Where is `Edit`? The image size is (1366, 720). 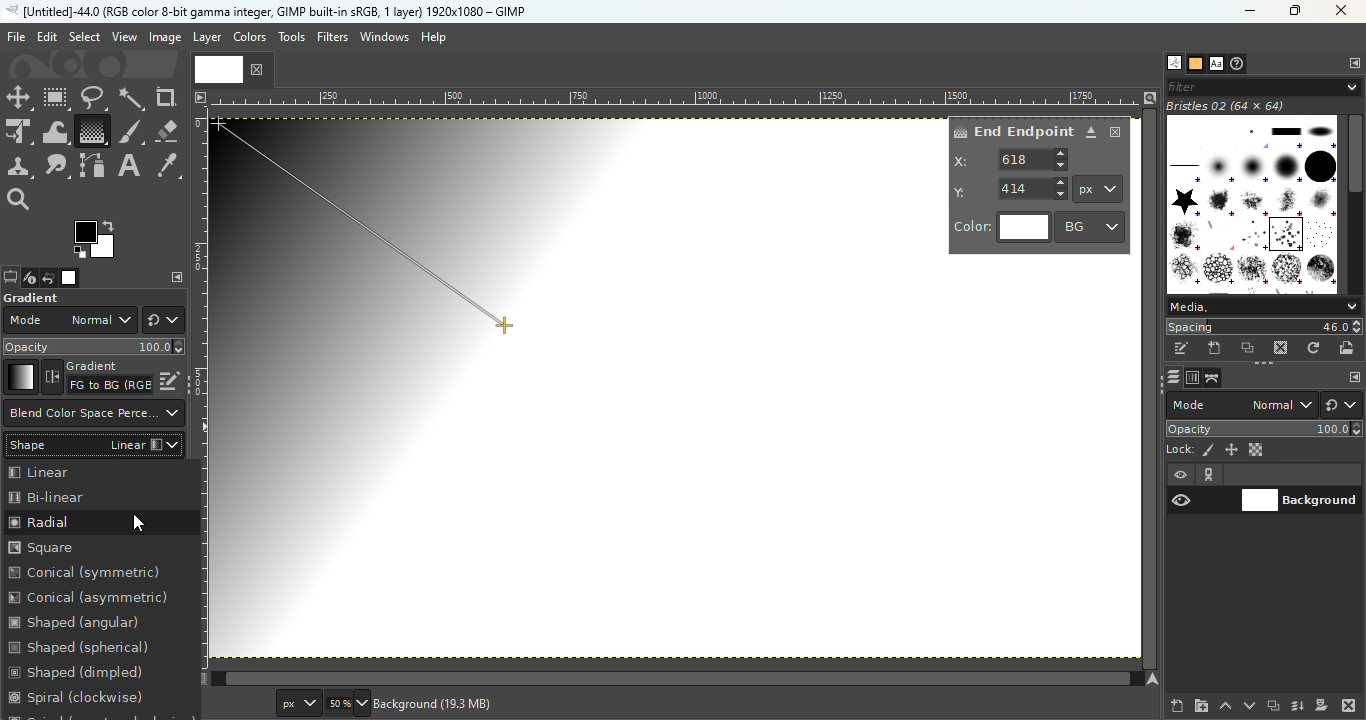 Edit is located at coordinates (47, 37).